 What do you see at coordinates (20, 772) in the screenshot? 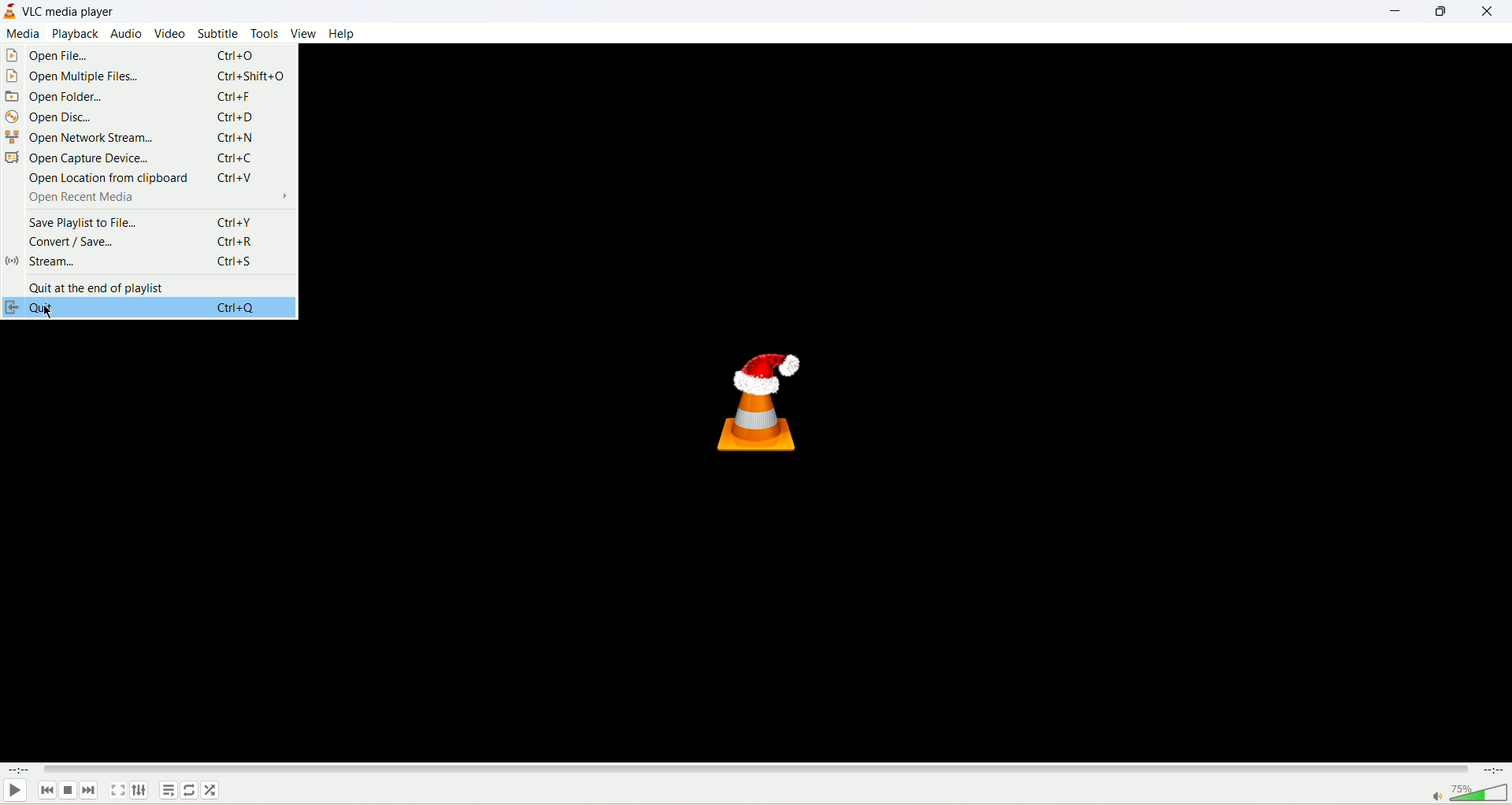
I see `elapsed time` at bounding box center [20, 772].